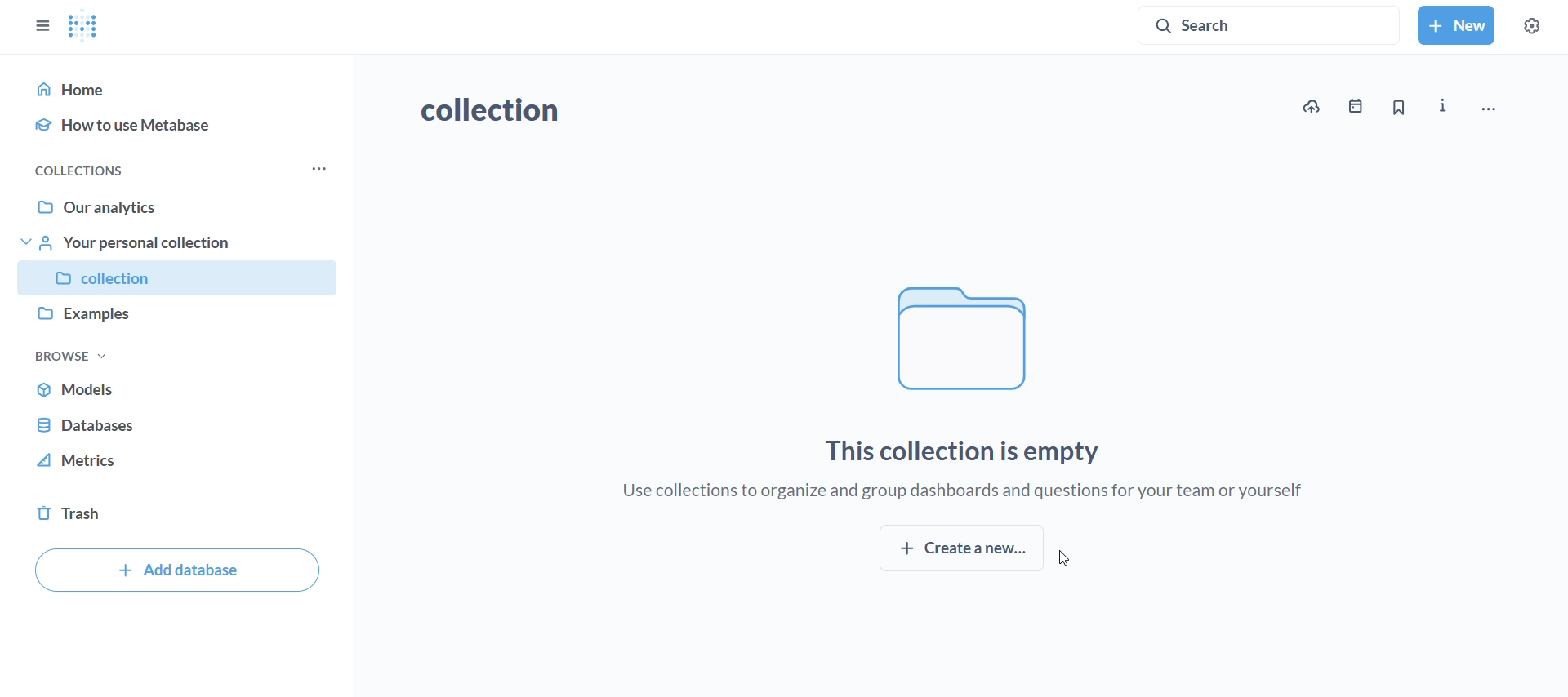  What do you see at coordinates (178, 422) in the screenshot?
I see `database` at bounding box center [178, 422].